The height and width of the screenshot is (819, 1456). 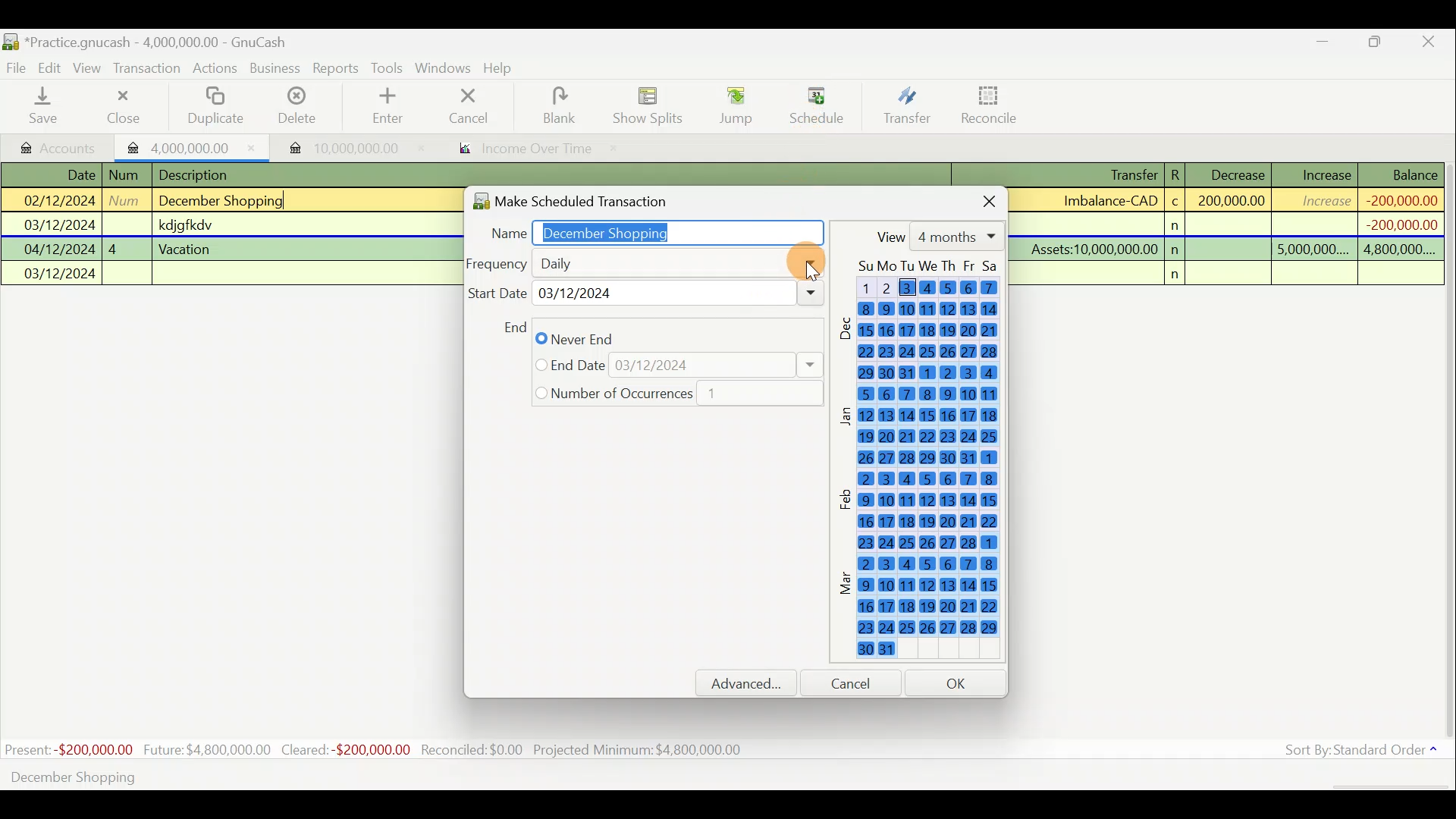 What do you see at coordinates (386, 106) in the screenshot?
I see `Enter` at bounding box center [386, 106].